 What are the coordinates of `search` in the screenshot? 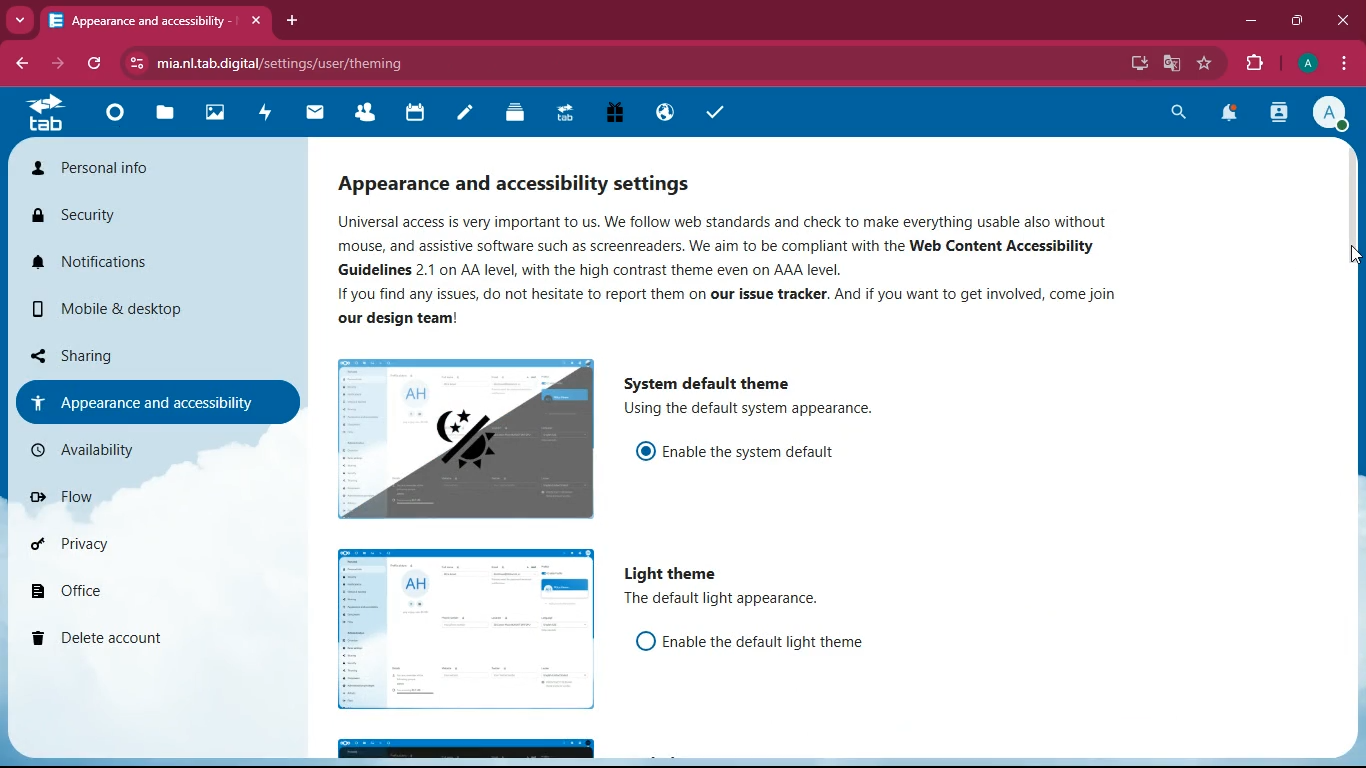 It's located at (1177, 112).